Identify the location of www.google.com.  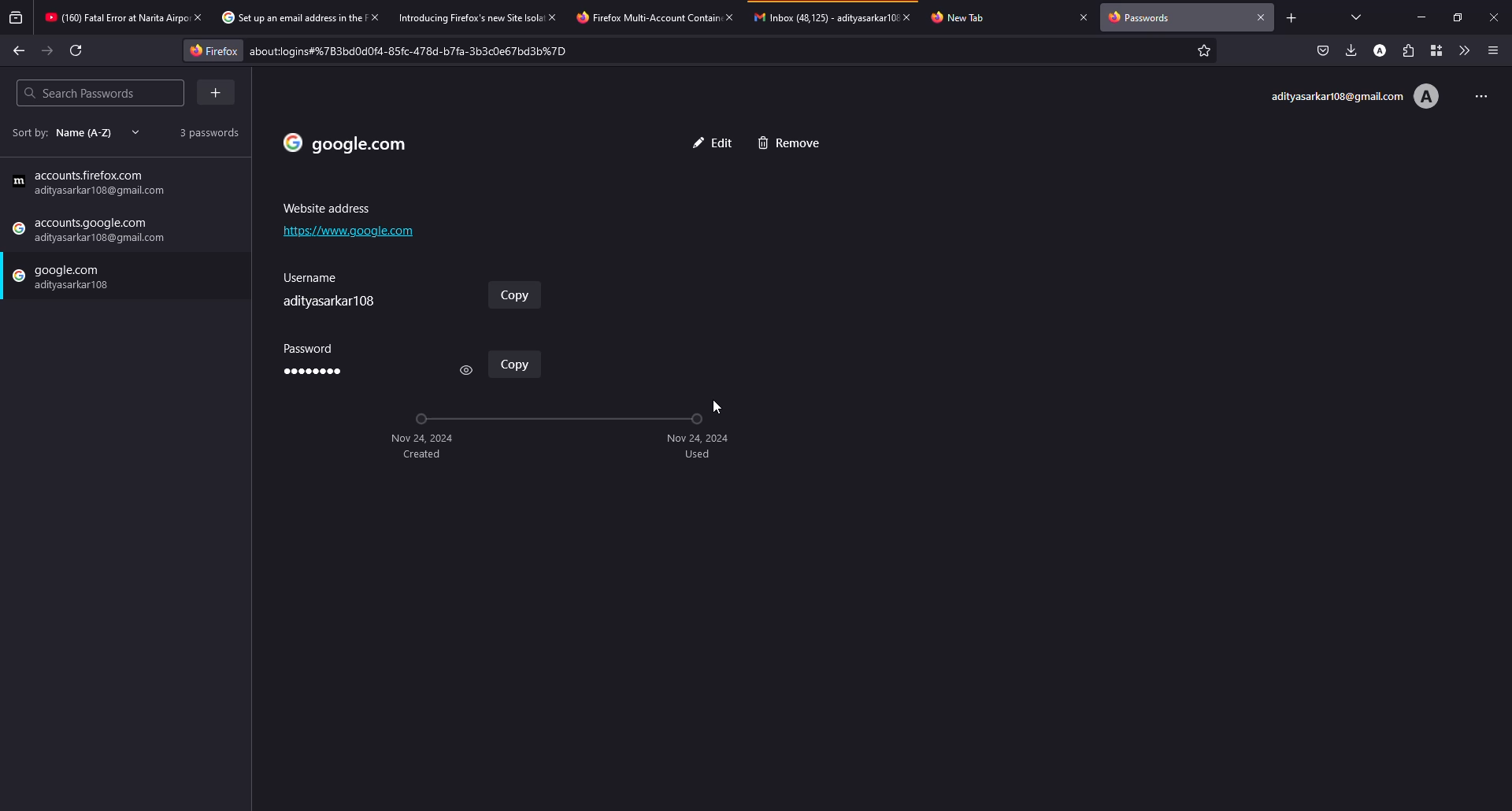
(513, 295).